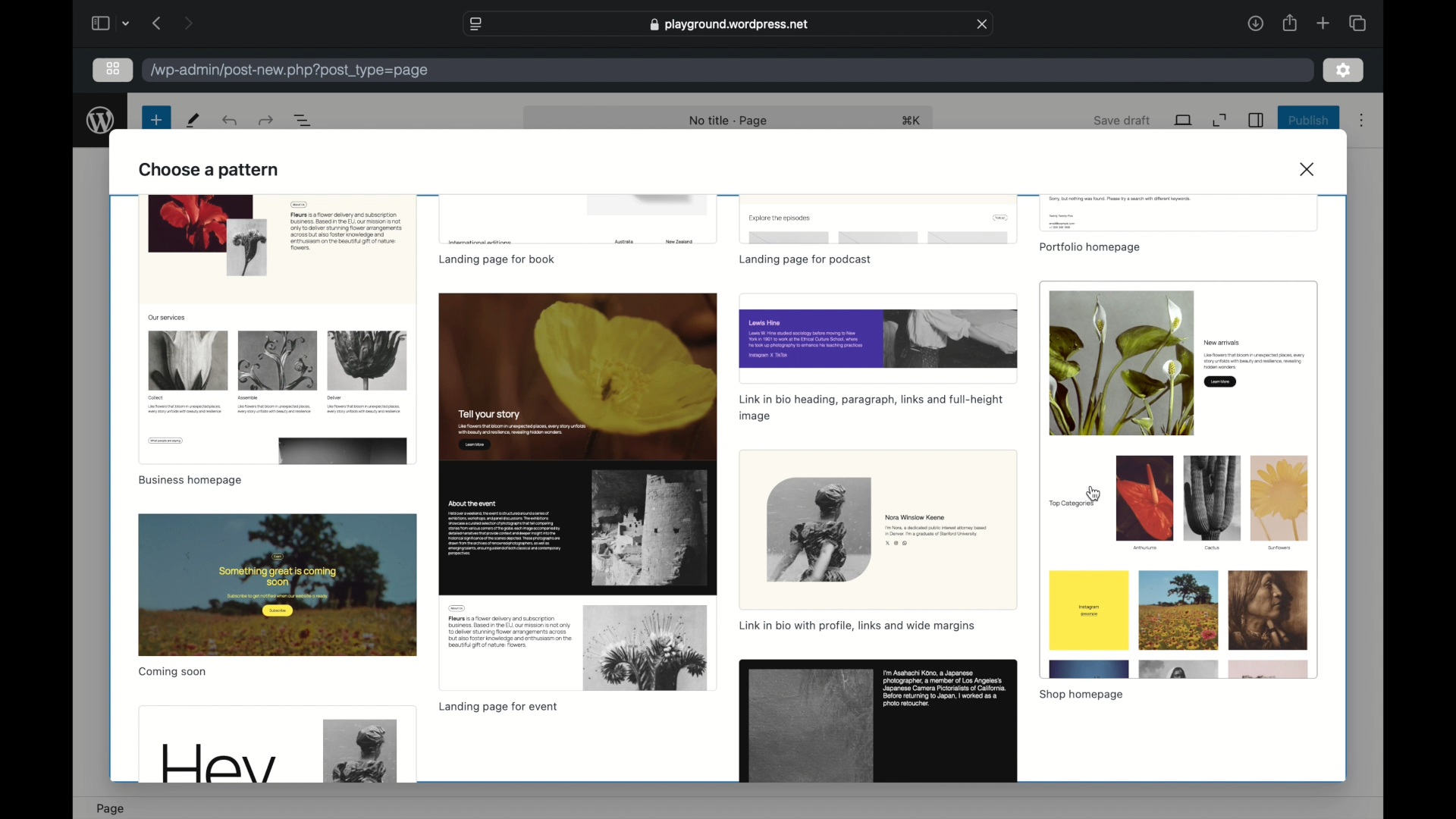 The width and height of the screenshot is (1456, 819). Describe the element at coordinates (99, 23) in the screenshot. I see `sidebar` at that location.